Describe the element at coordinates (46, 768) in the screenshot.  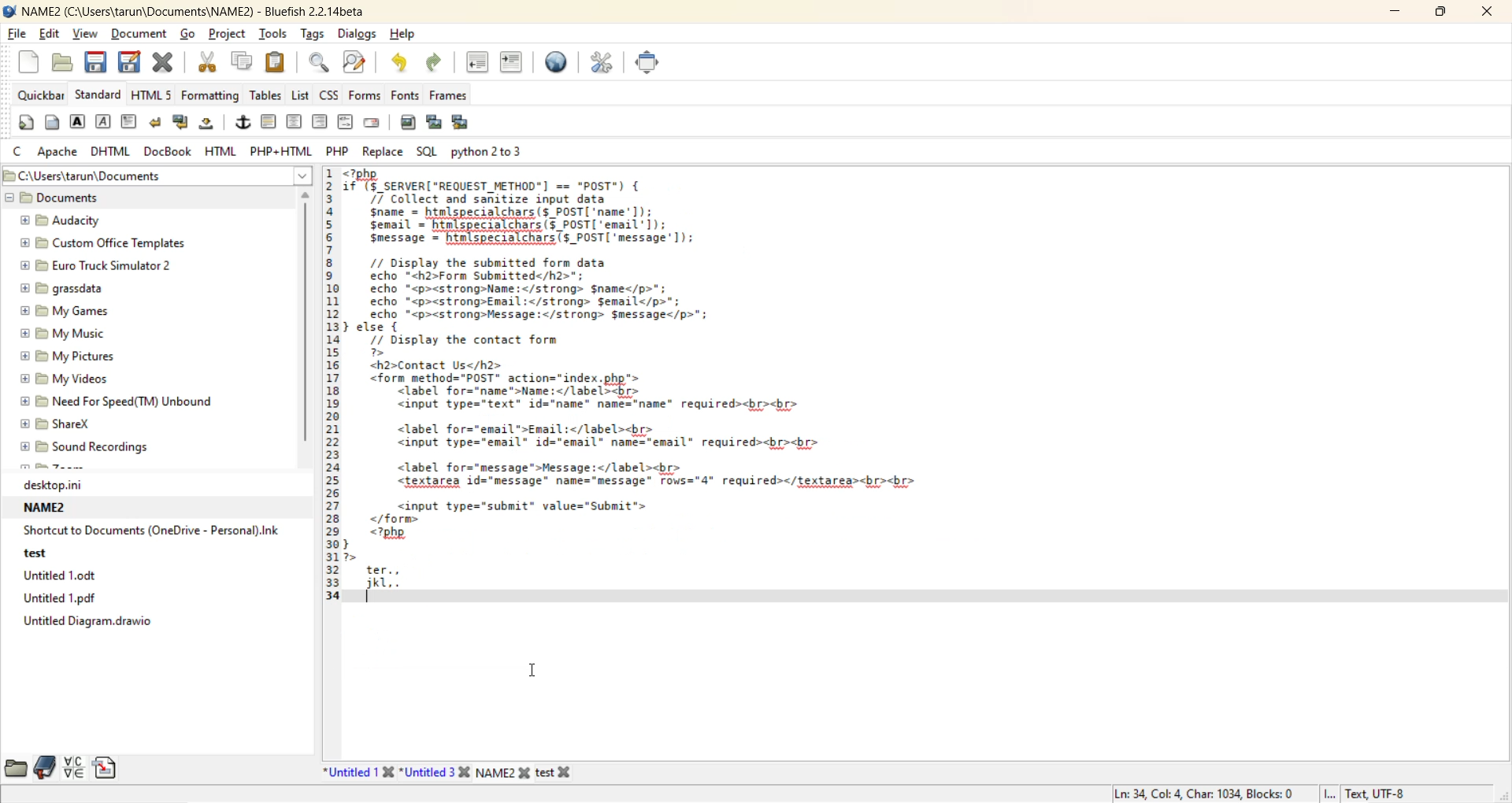
I see `bookmarks` at that location.